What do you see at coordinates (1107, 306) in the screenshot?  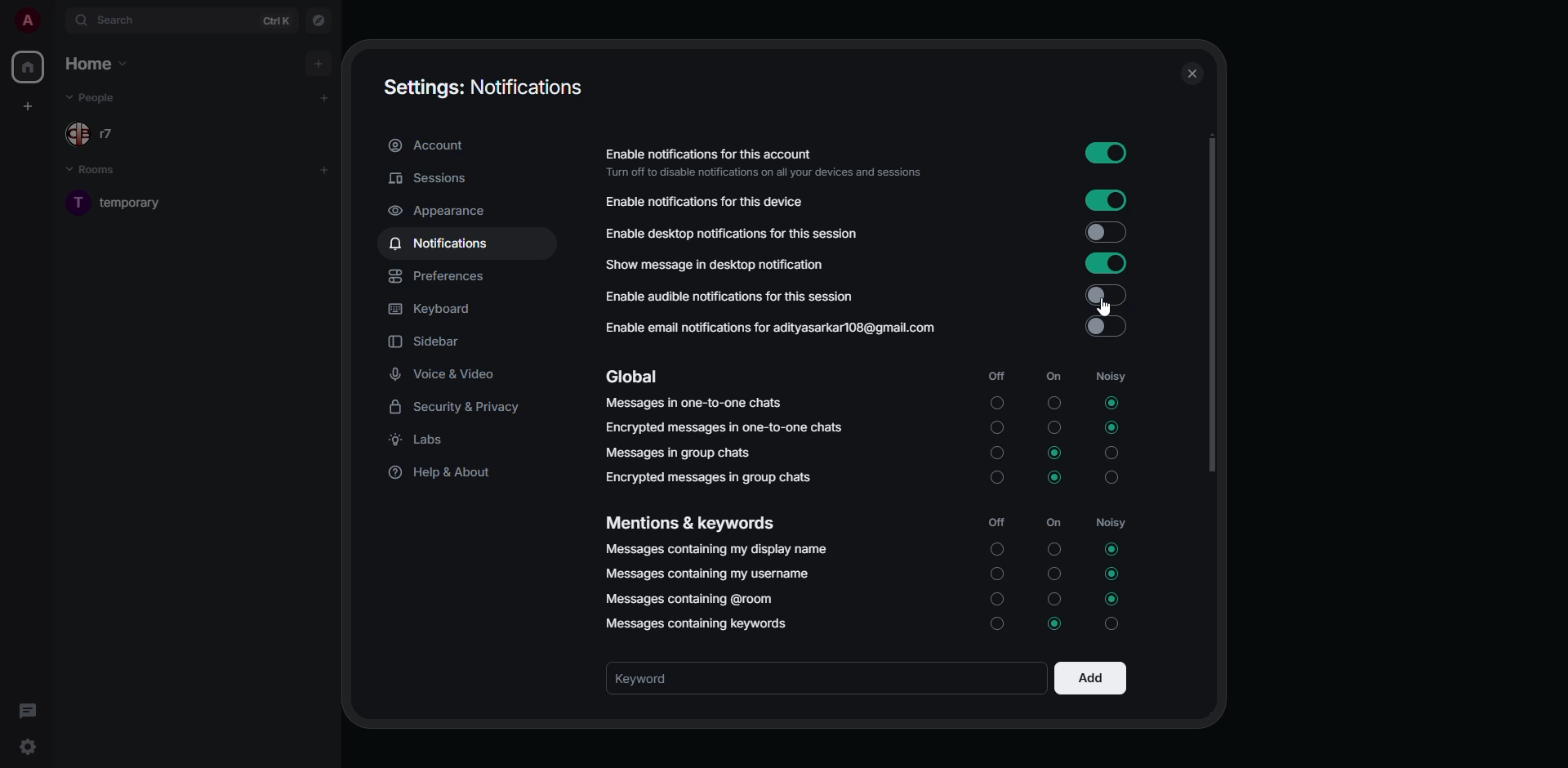 I see `cursor` at bounding box center [1107, 306].